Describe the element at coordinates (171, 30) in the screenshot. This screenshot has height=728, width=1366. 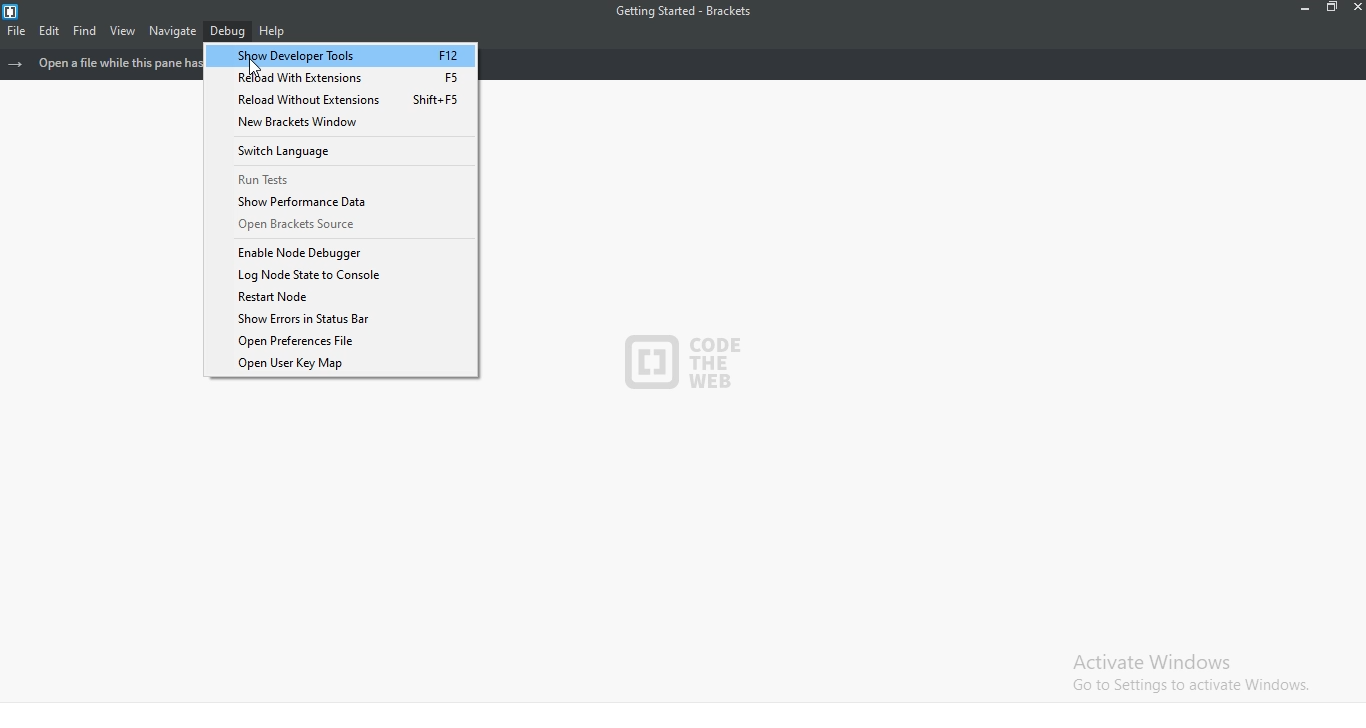
I see `navigate` at that location.